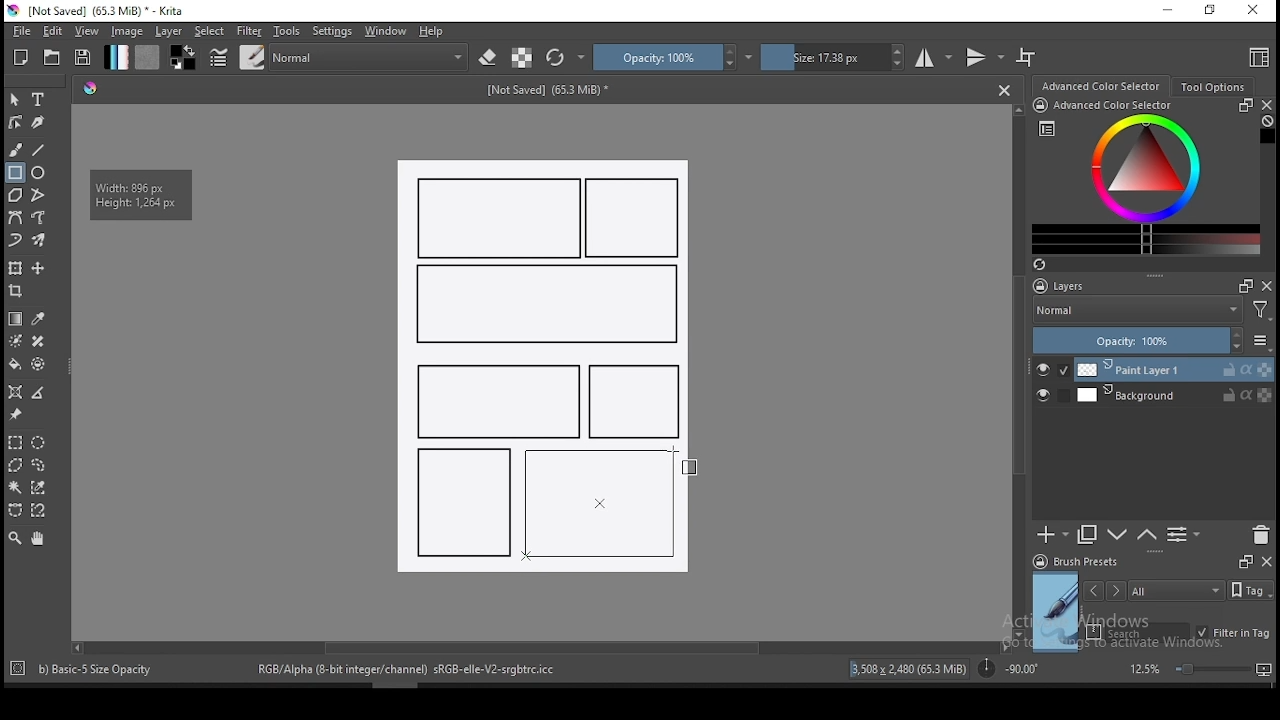 This screenshot has width=1280, height=720. What do you see at coordinates (1174, 395) in the screenshot?
I see `layer` at bounding box center [1174, 395].